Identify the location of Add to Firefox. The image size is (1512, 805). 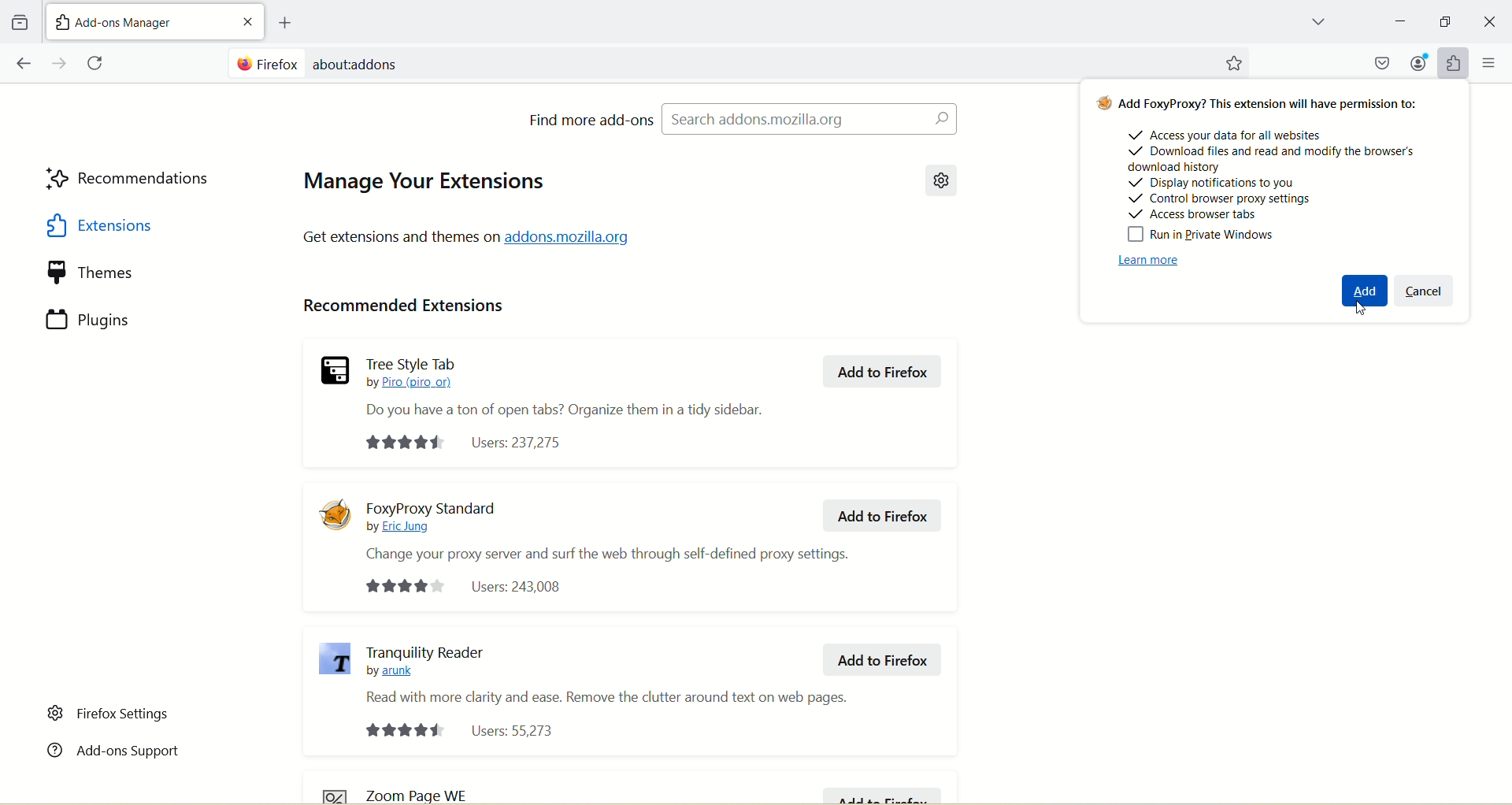
(881, 794).